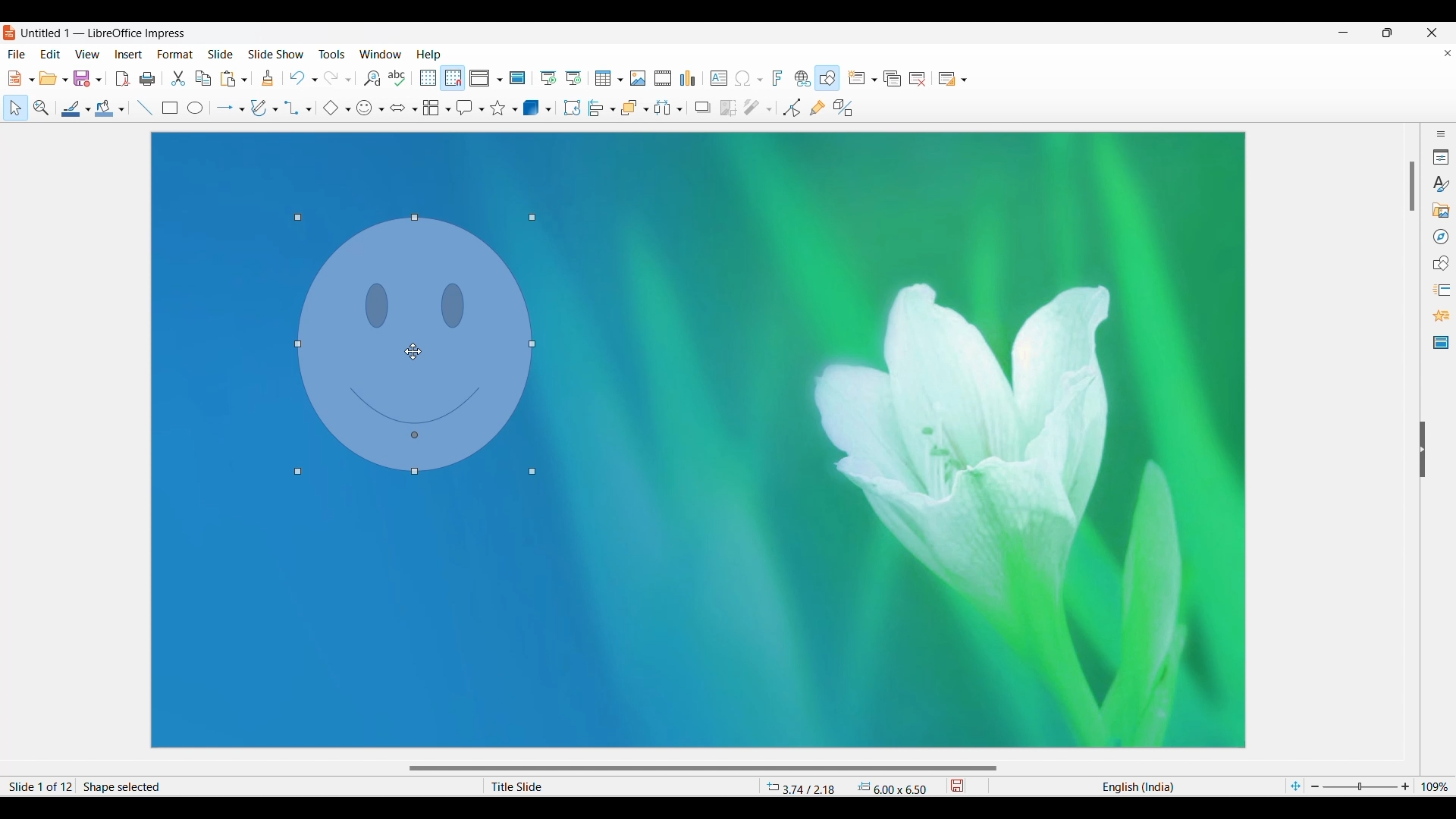 The width and height of the screenshot is (1456, 819). I want to click on Toggle extrusion, so click(844, 108).